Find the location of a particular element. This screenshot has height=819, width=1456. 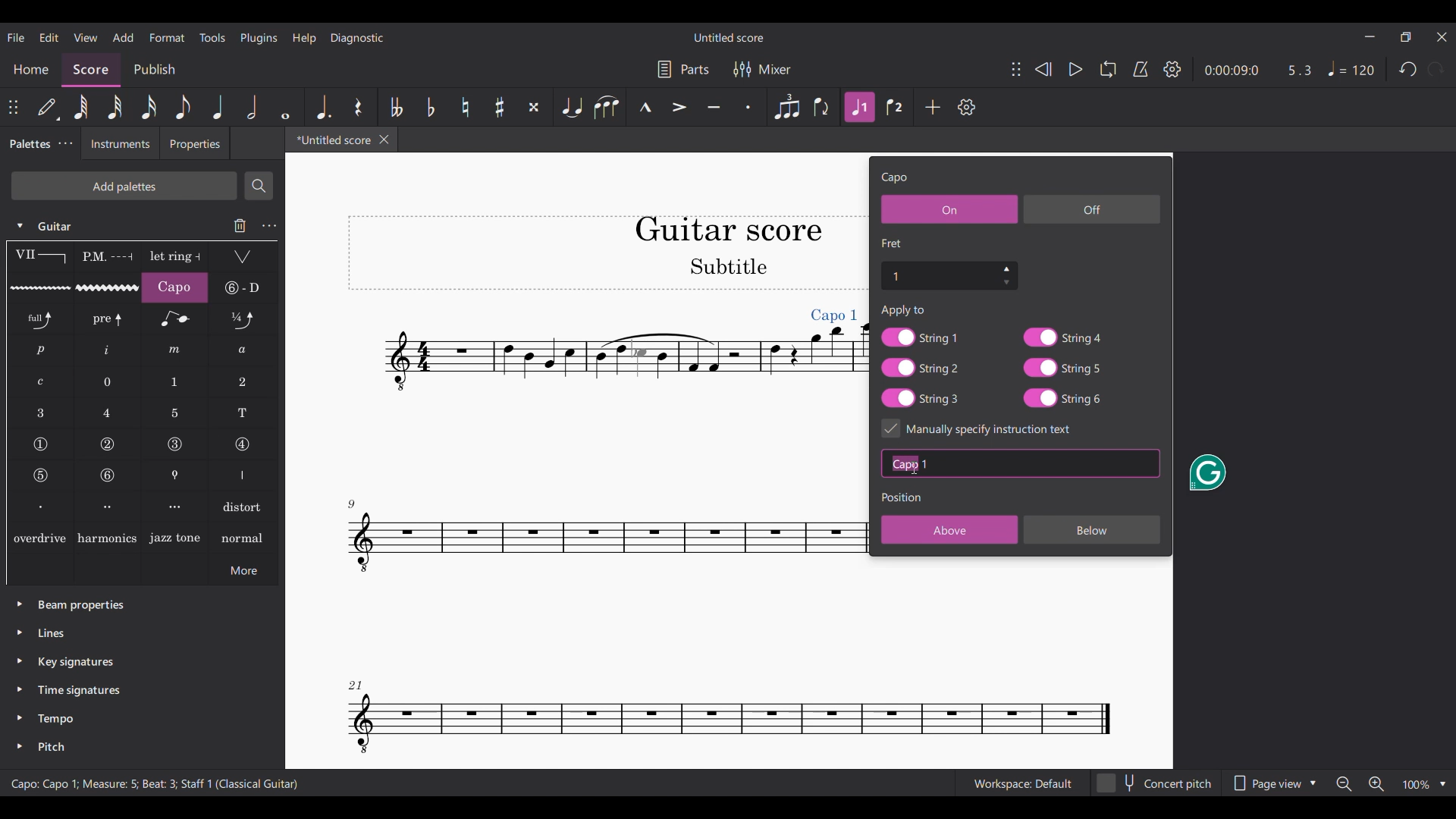

Parts settings is located at coordinates (683, 69).